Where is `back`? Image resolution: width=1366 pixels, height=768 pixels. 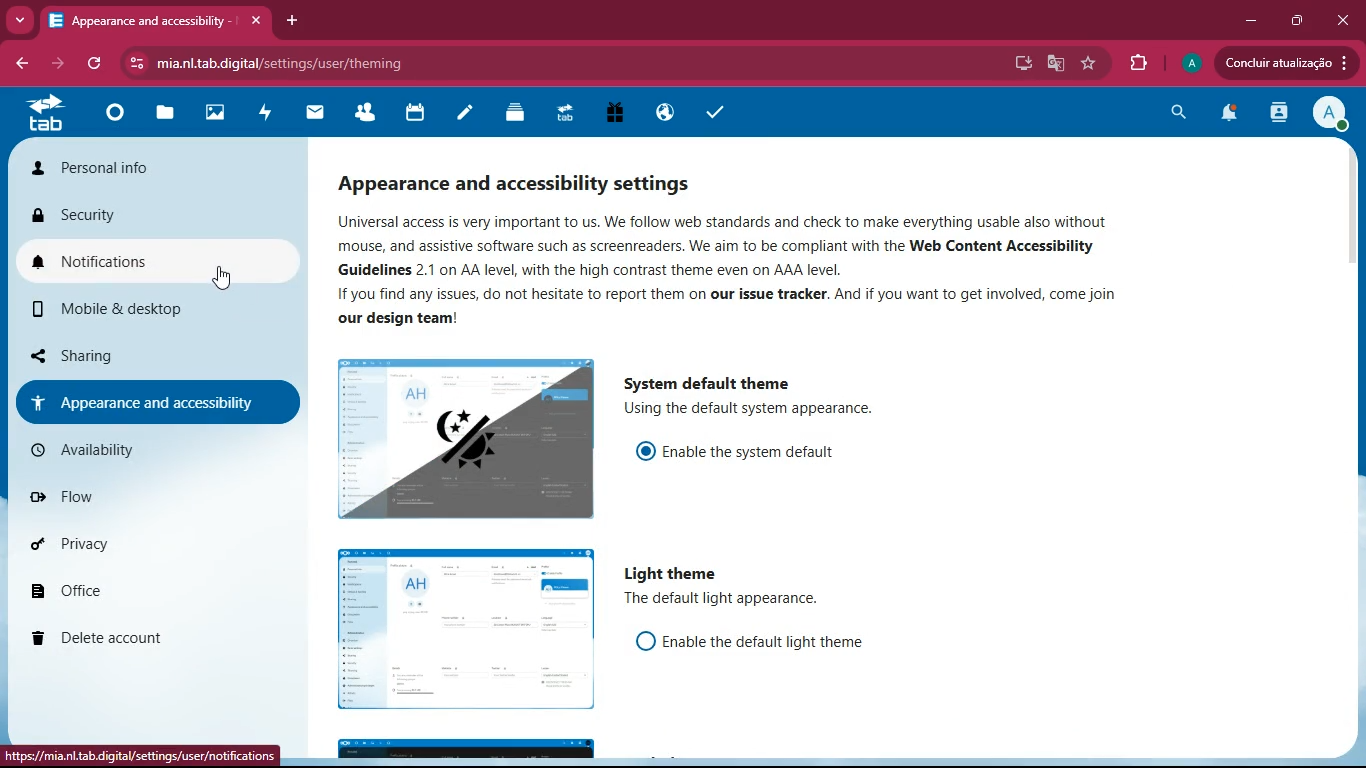 back is located at coordinates (57, 66).